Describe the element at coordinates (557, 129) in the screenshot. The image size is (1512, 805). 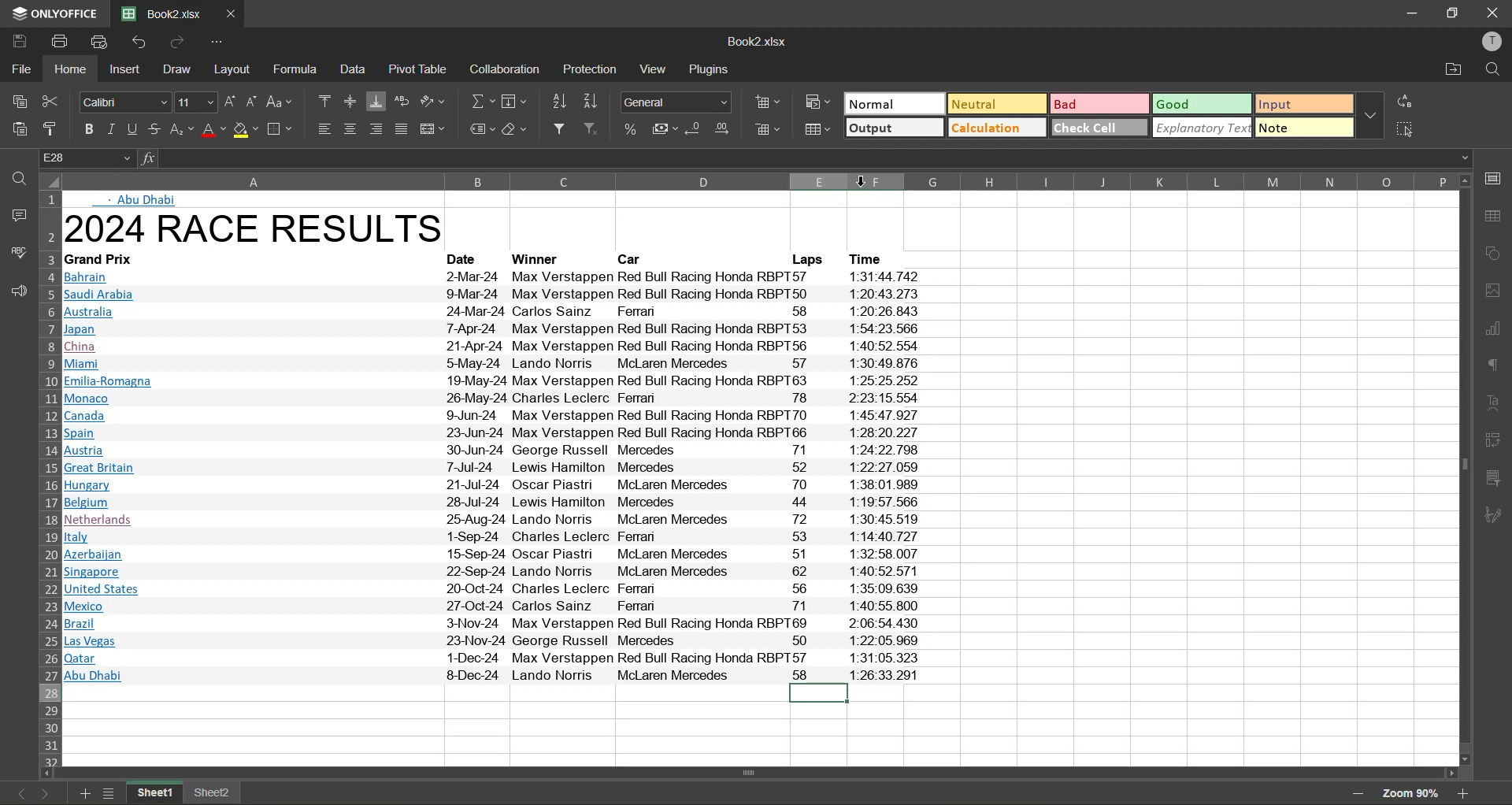
I see `filter` at that location.